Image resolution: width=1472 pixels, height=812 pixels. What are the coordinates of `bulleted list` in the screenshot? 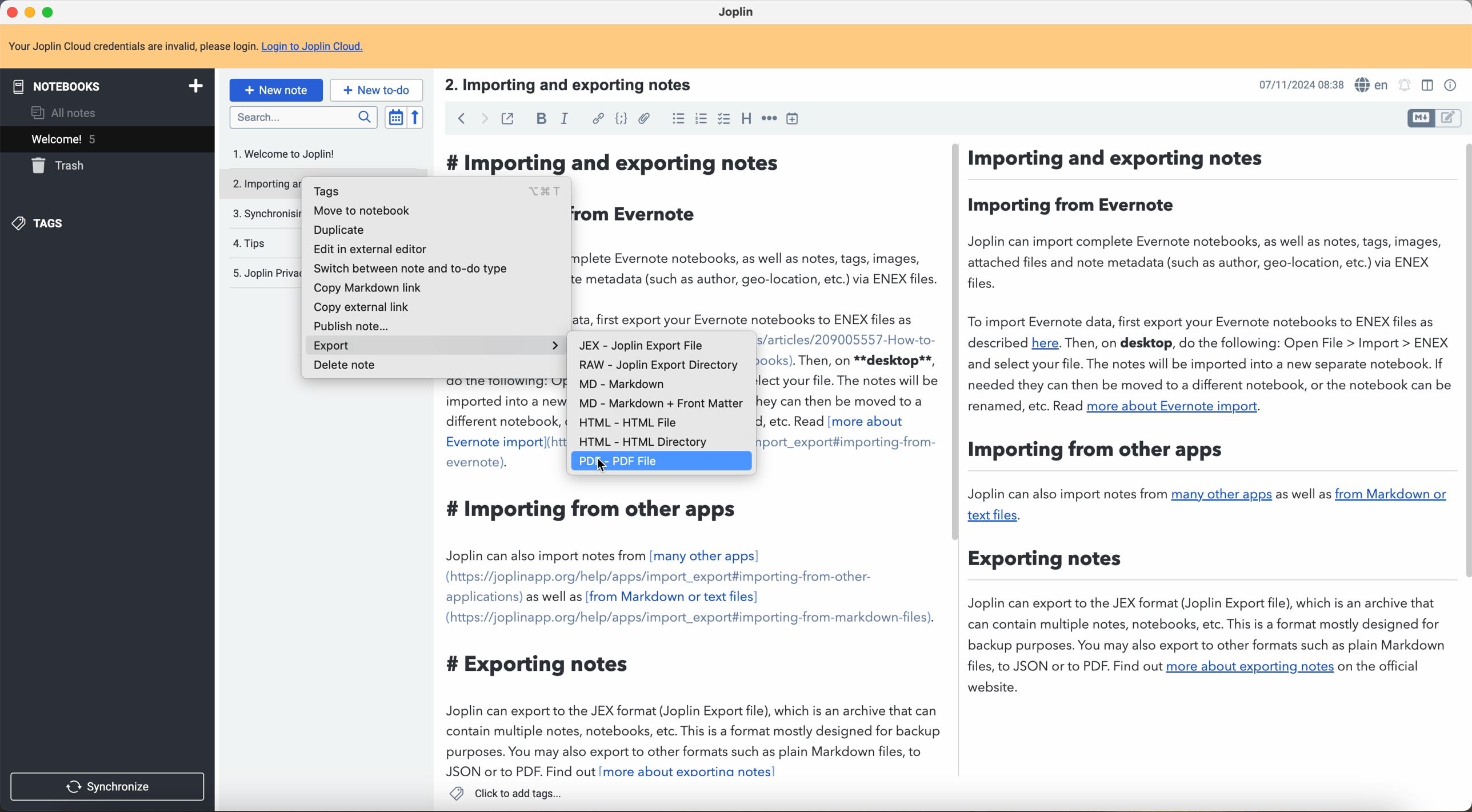 It's located at (675, 120).